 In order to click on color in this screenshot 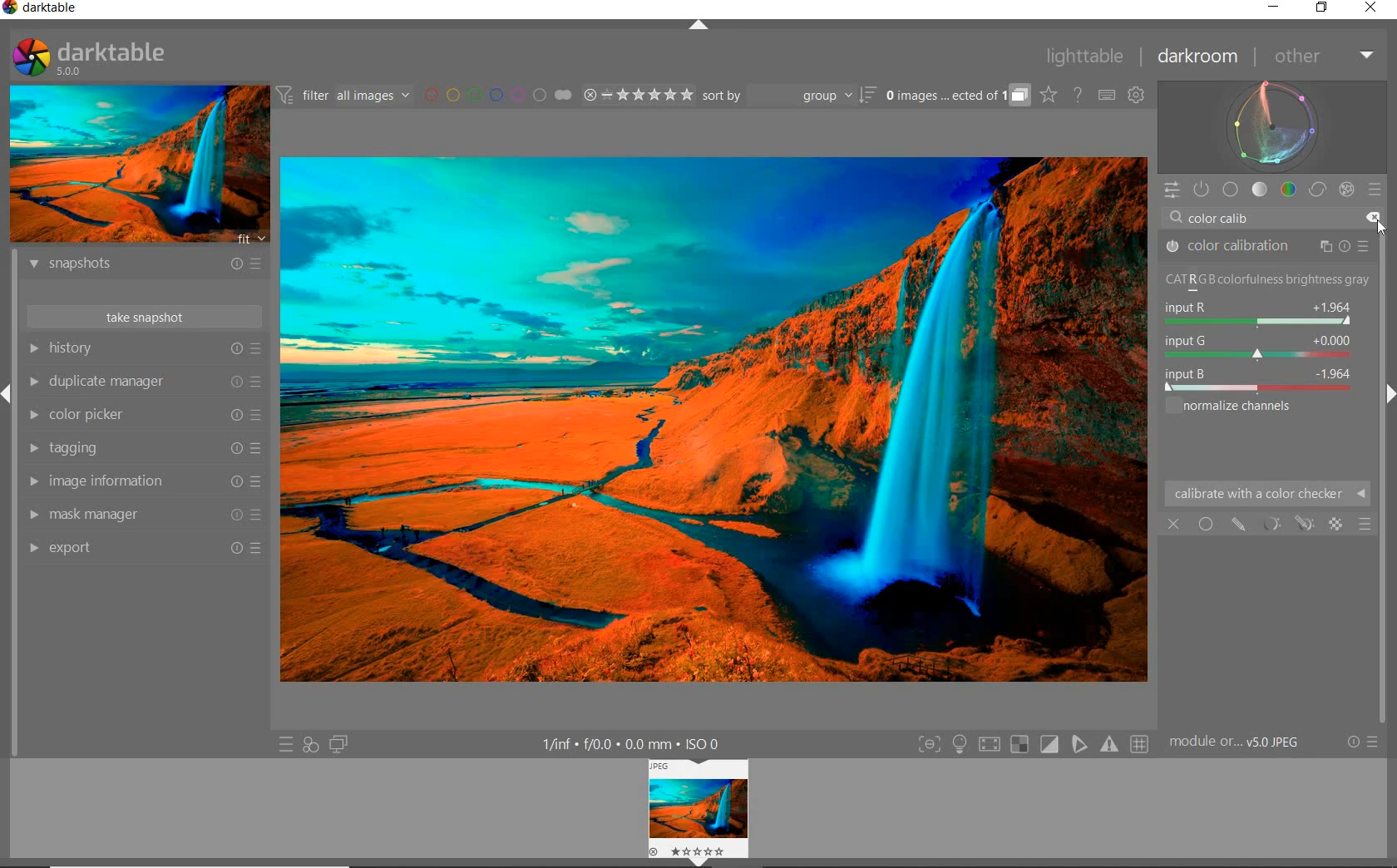, I will do `click(1287, 190)`.